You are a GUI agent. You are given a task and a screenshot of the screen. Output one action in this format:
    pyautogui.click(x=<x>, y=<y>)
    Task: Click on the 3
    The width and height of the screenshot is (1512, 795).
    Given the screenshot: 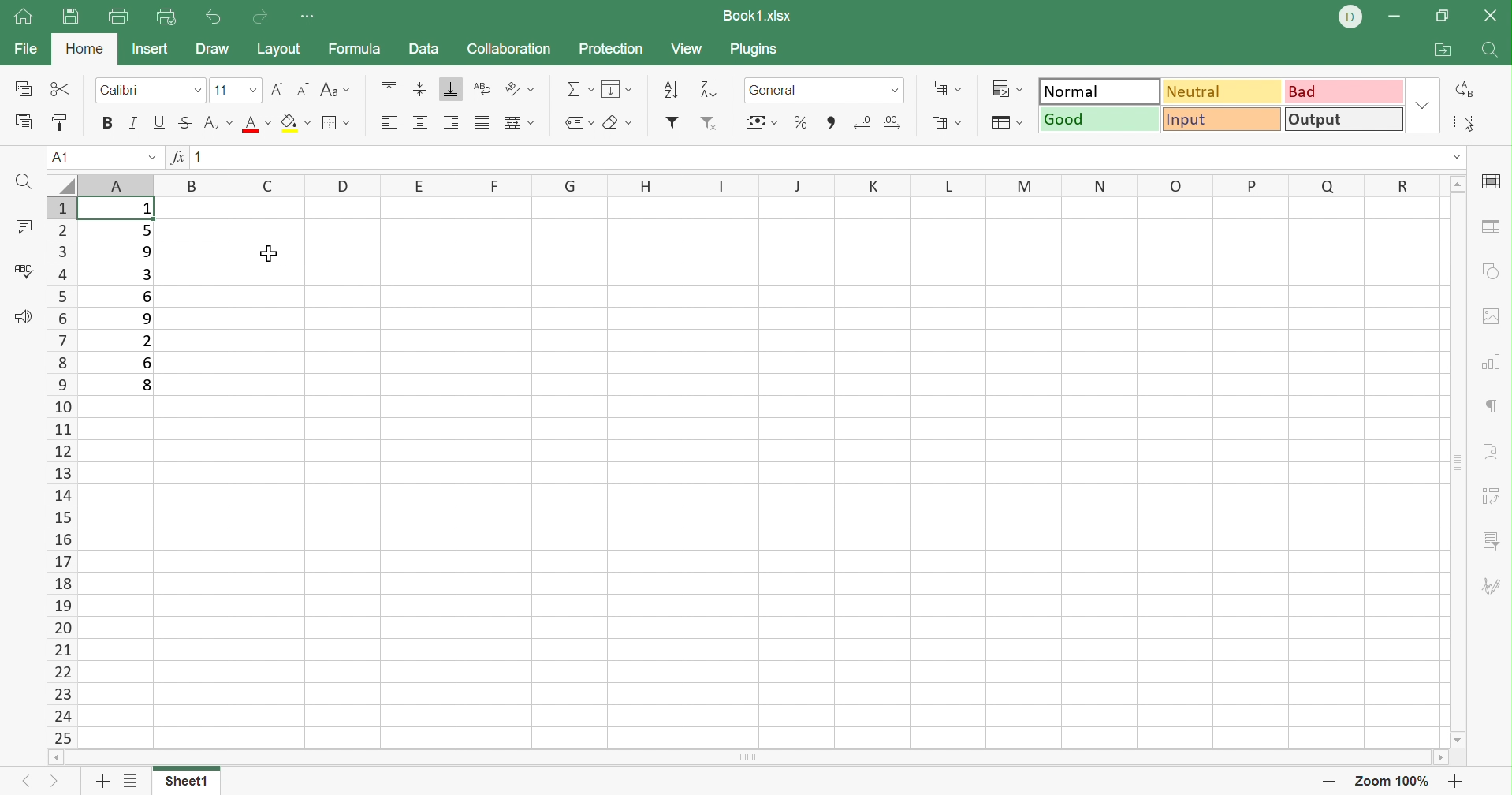 What is the action you would take?
    pyautogui.click(x=149, y=274)
    